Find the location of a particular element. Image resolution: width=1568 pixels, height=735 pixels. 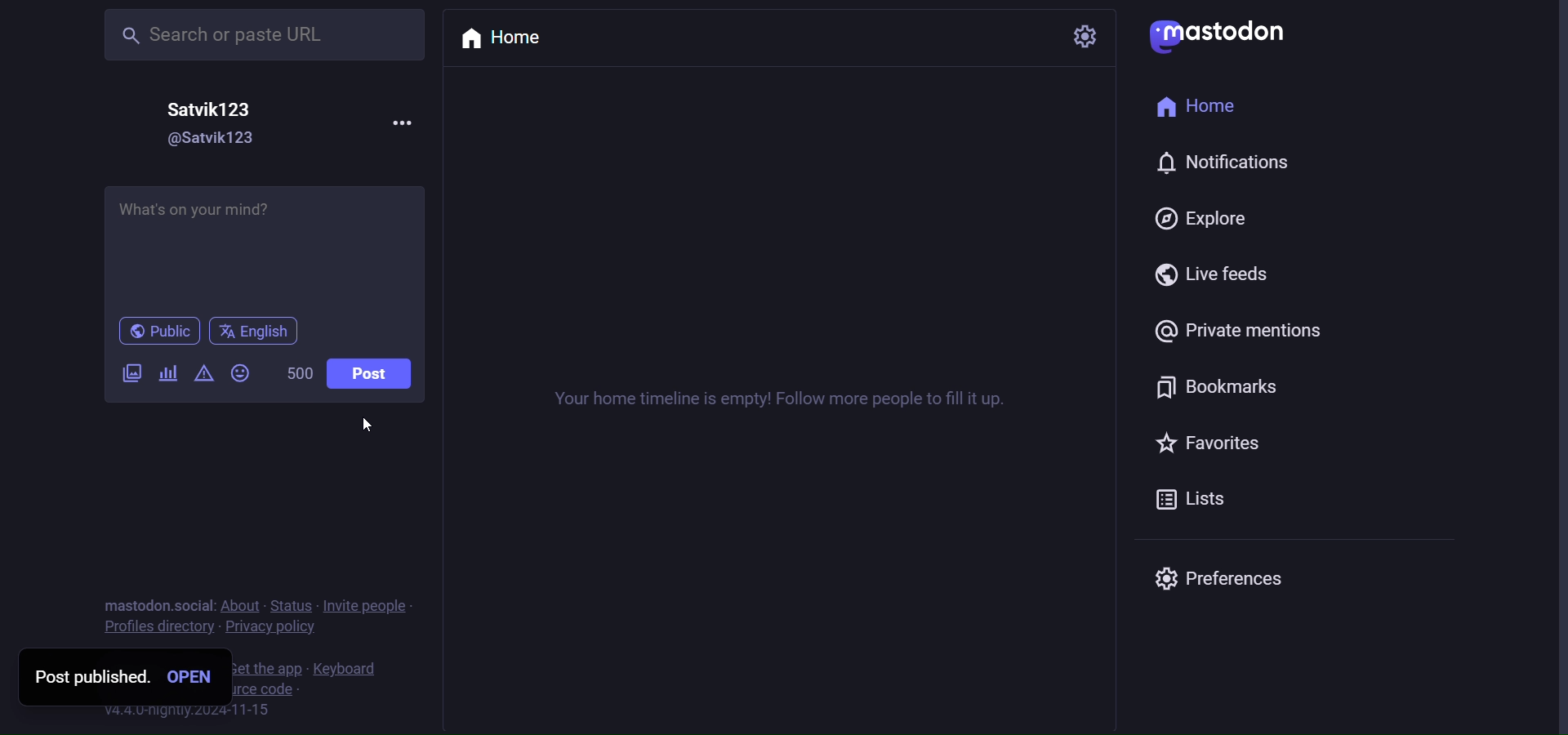

post is located at coordinates (369, 376).